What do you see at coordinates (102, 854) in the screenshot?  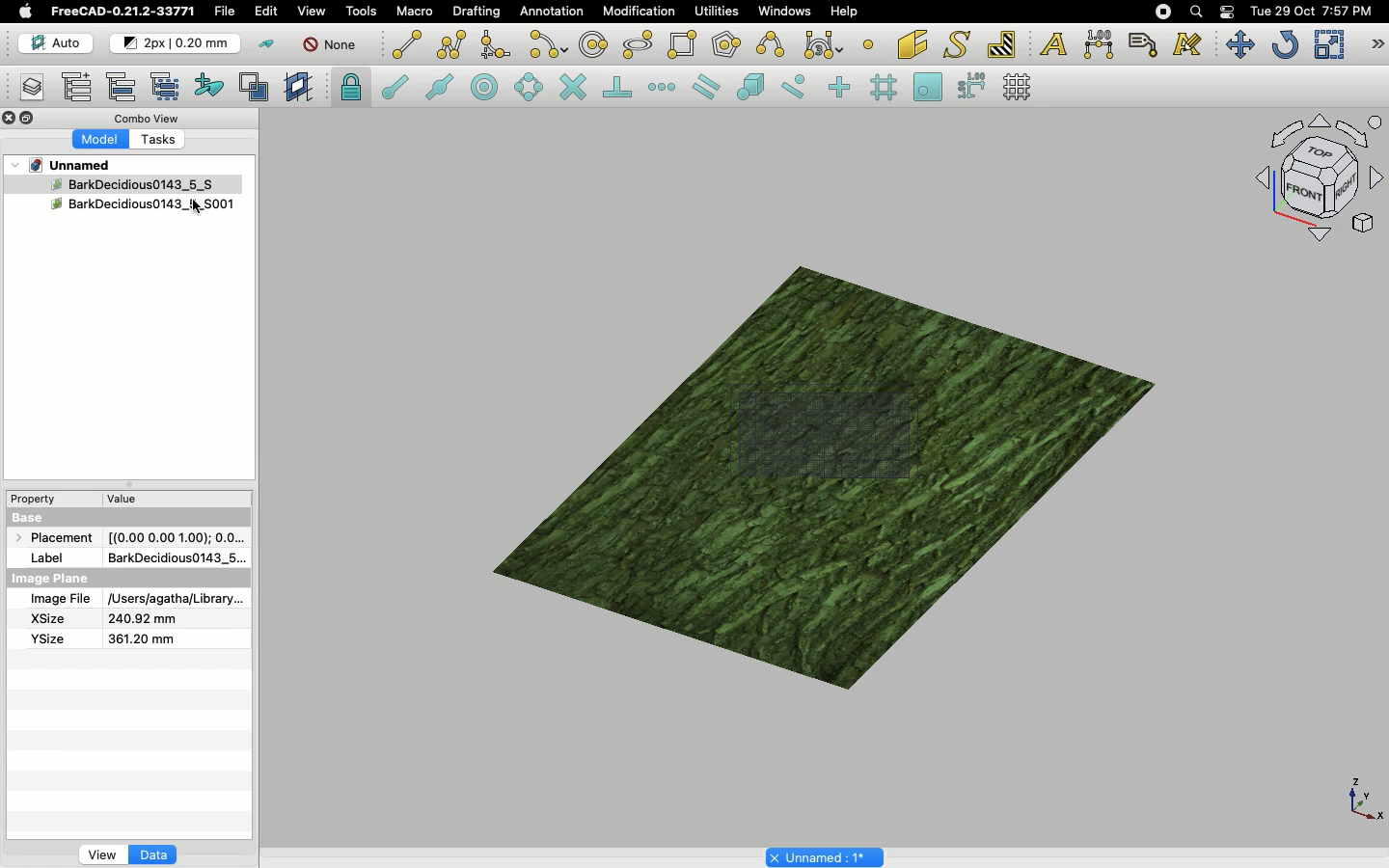 I see `View` at bounding box center [102, 854].